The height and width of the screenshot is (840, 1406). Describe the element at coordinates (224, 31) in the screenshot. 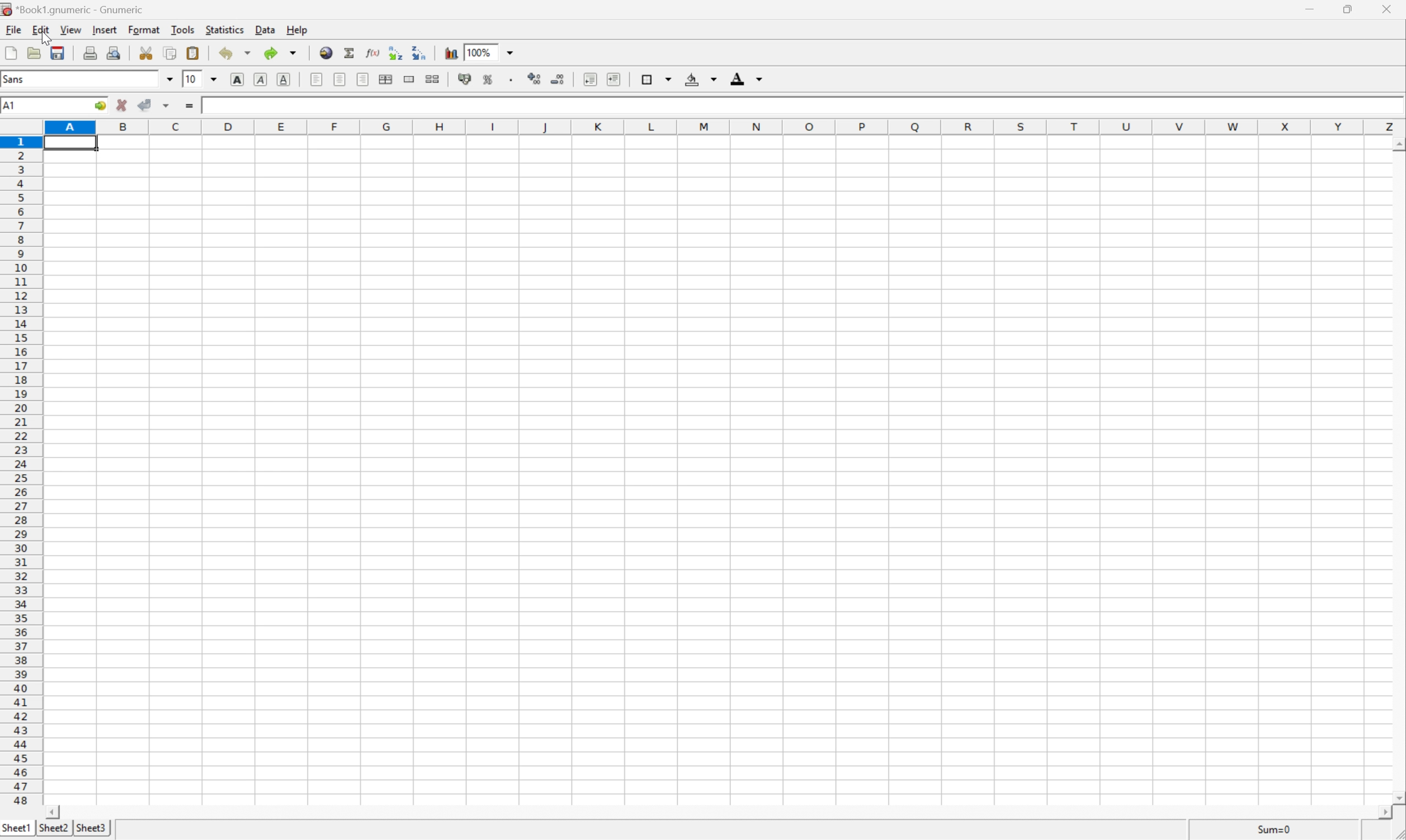

I see `statistics` at that location.